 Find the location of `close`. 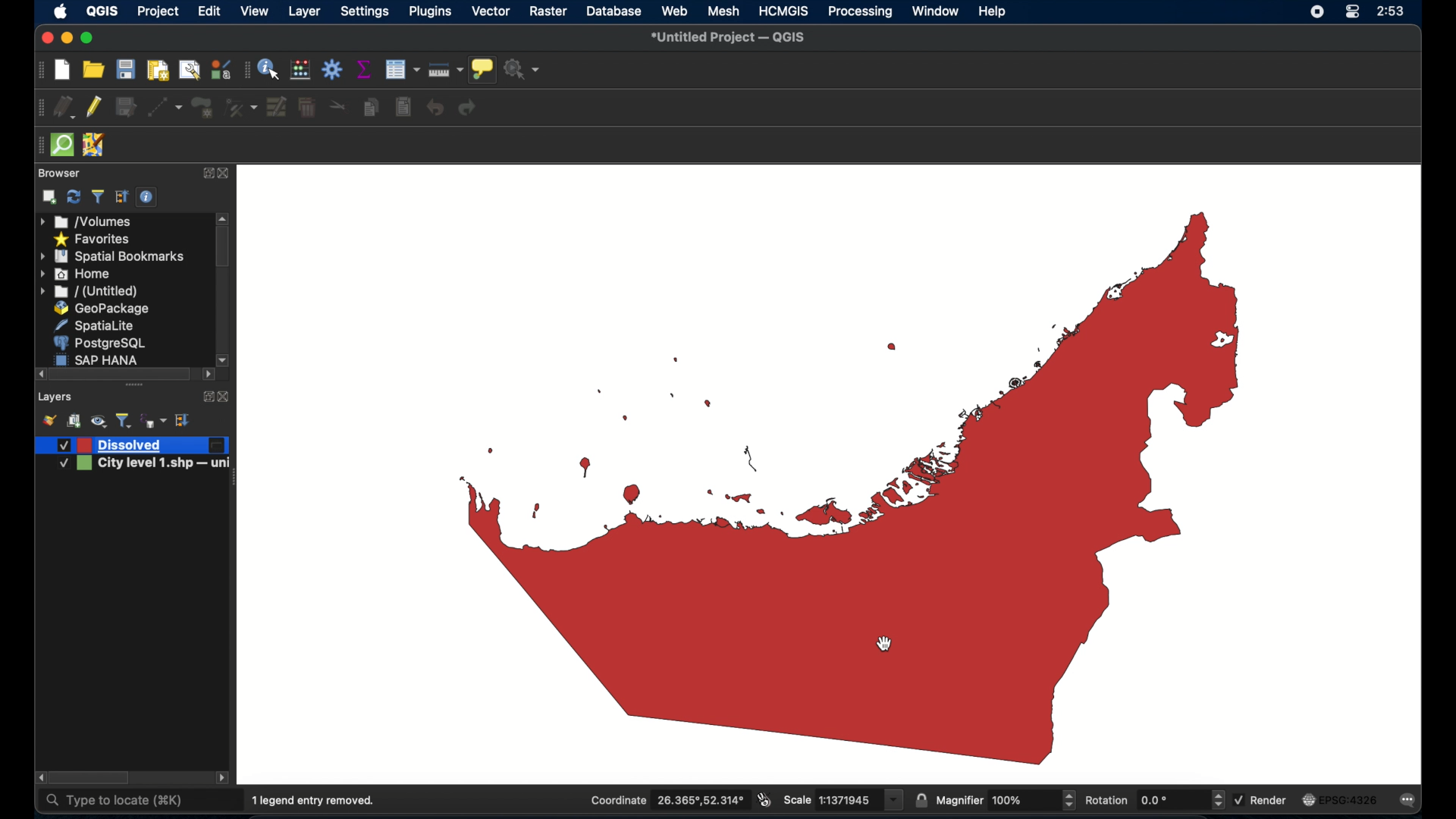

close is located at coordinates (225, 174).